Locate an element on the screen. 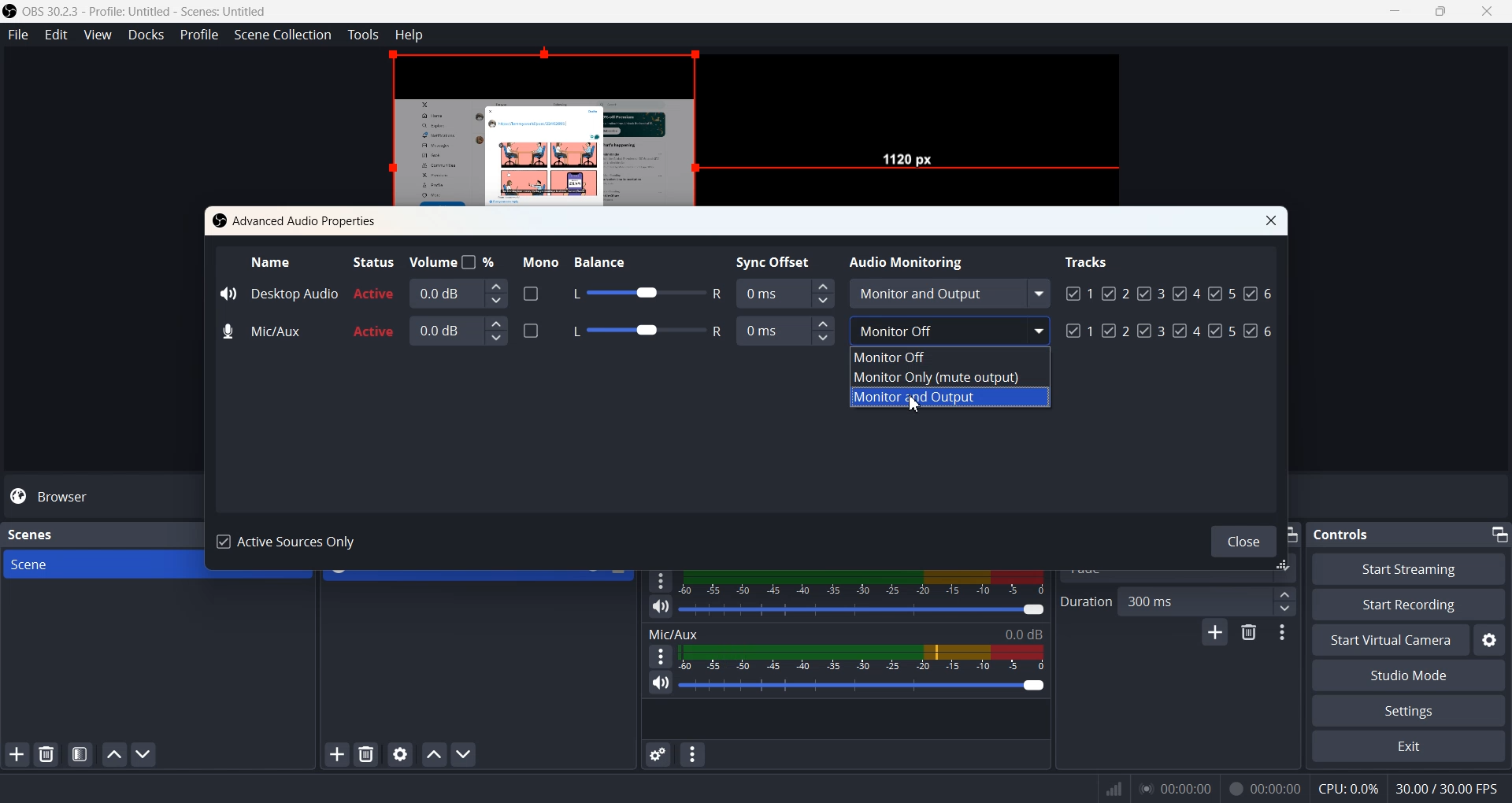  Studio Mode is located at coordinates (1408, 676).